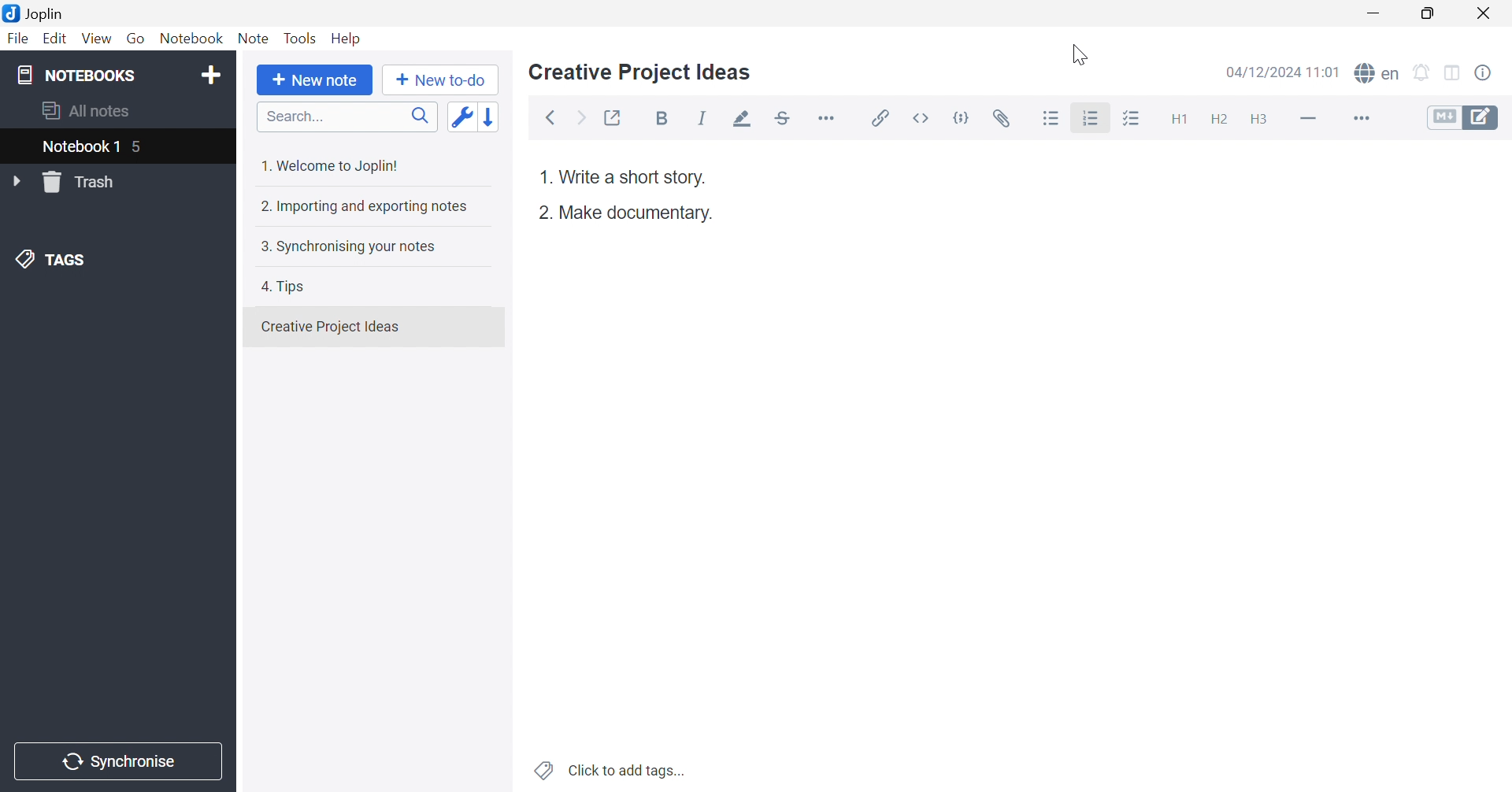 The image size is (1512, 792). Describe the element at coordinates (20, 182) in the screenshot. I see `Drop Down` at that location.